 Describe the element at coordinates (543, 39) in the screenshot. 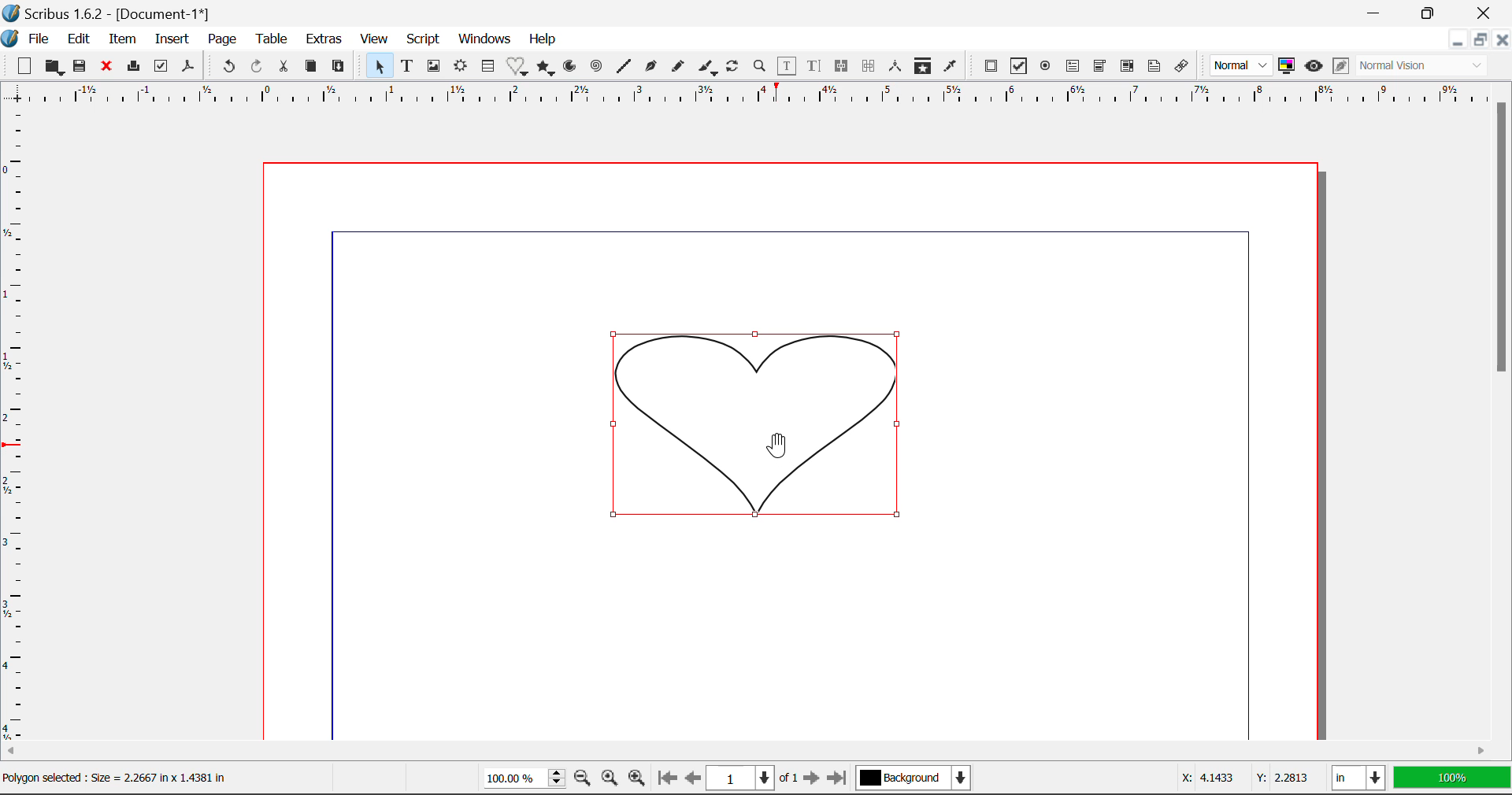

I see `Help` at that location.